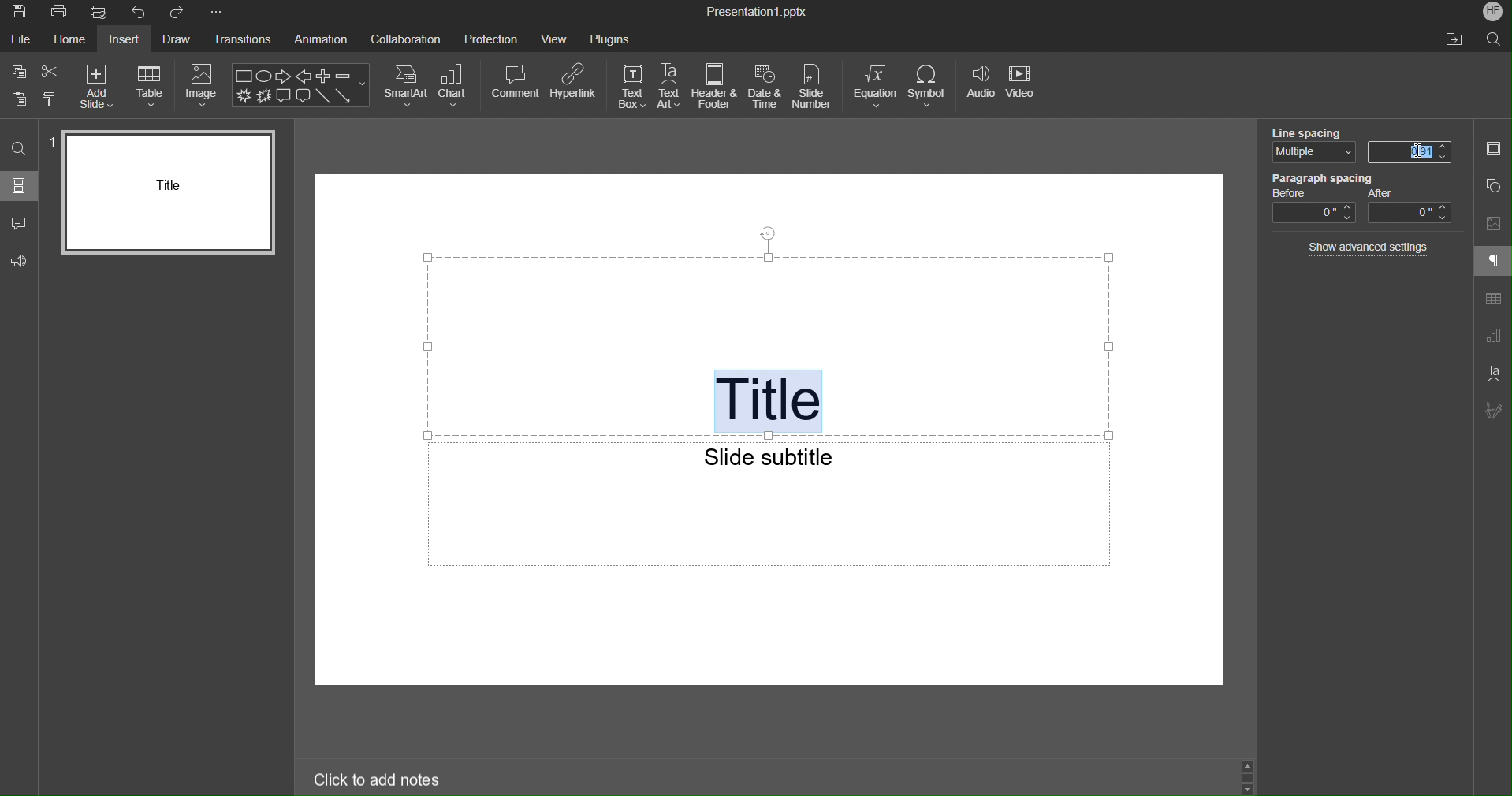  What do you see at coordinates (58, 13) in the screenshot?
I see `Print` at bounding box center [58, 13].